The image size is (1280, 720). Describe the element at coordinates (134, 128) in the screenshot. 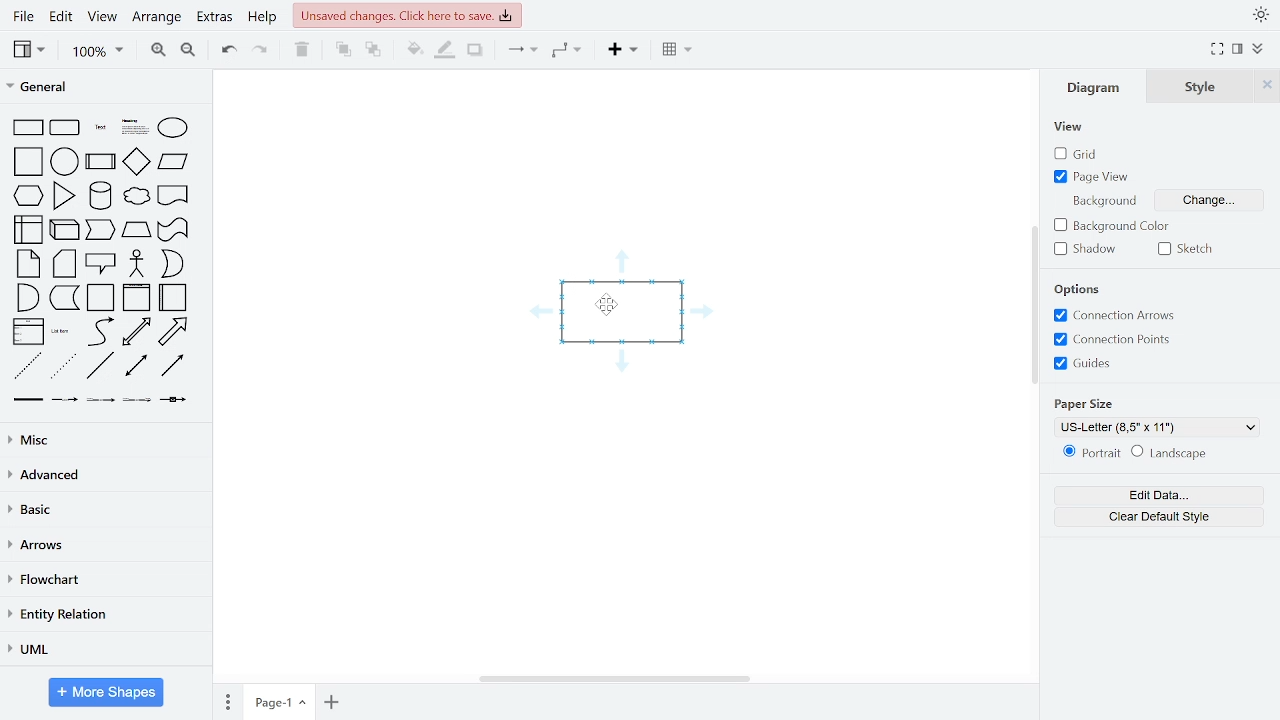

I see `headline` at that location.